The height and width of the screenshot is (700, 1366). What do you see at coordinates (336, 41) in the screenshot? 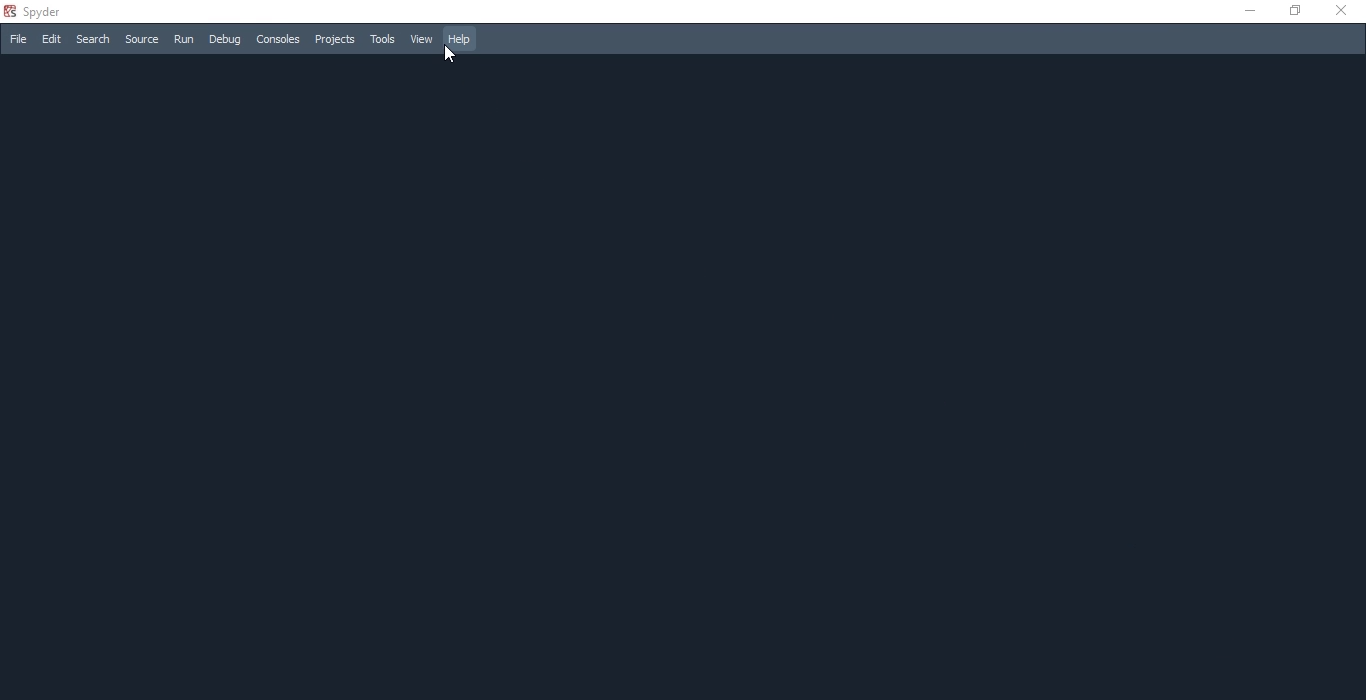
I see `Projects` at bounding box center [336, 41].